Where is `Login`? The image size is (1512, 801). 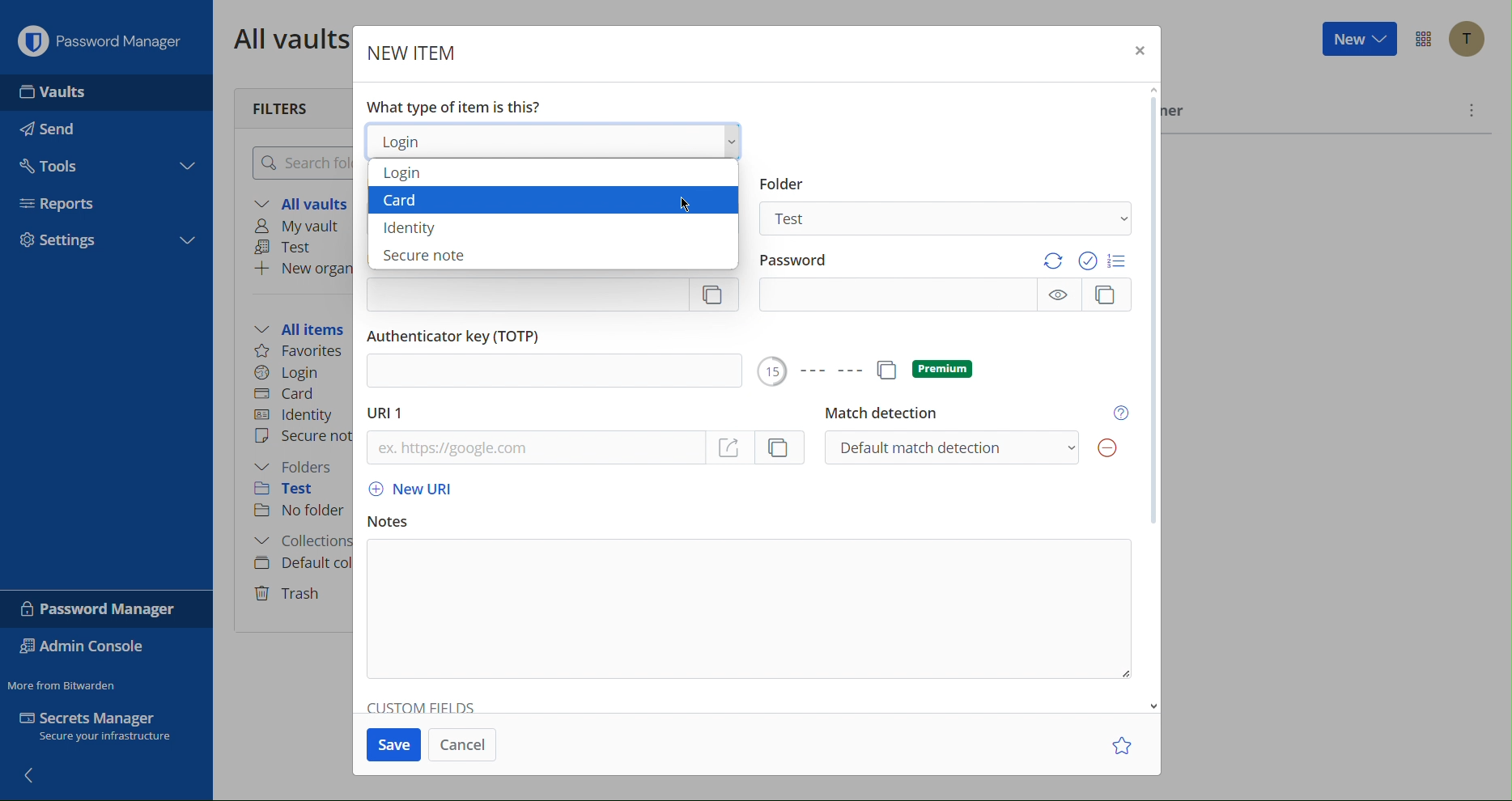
Login is located at coordinates (290, 375).